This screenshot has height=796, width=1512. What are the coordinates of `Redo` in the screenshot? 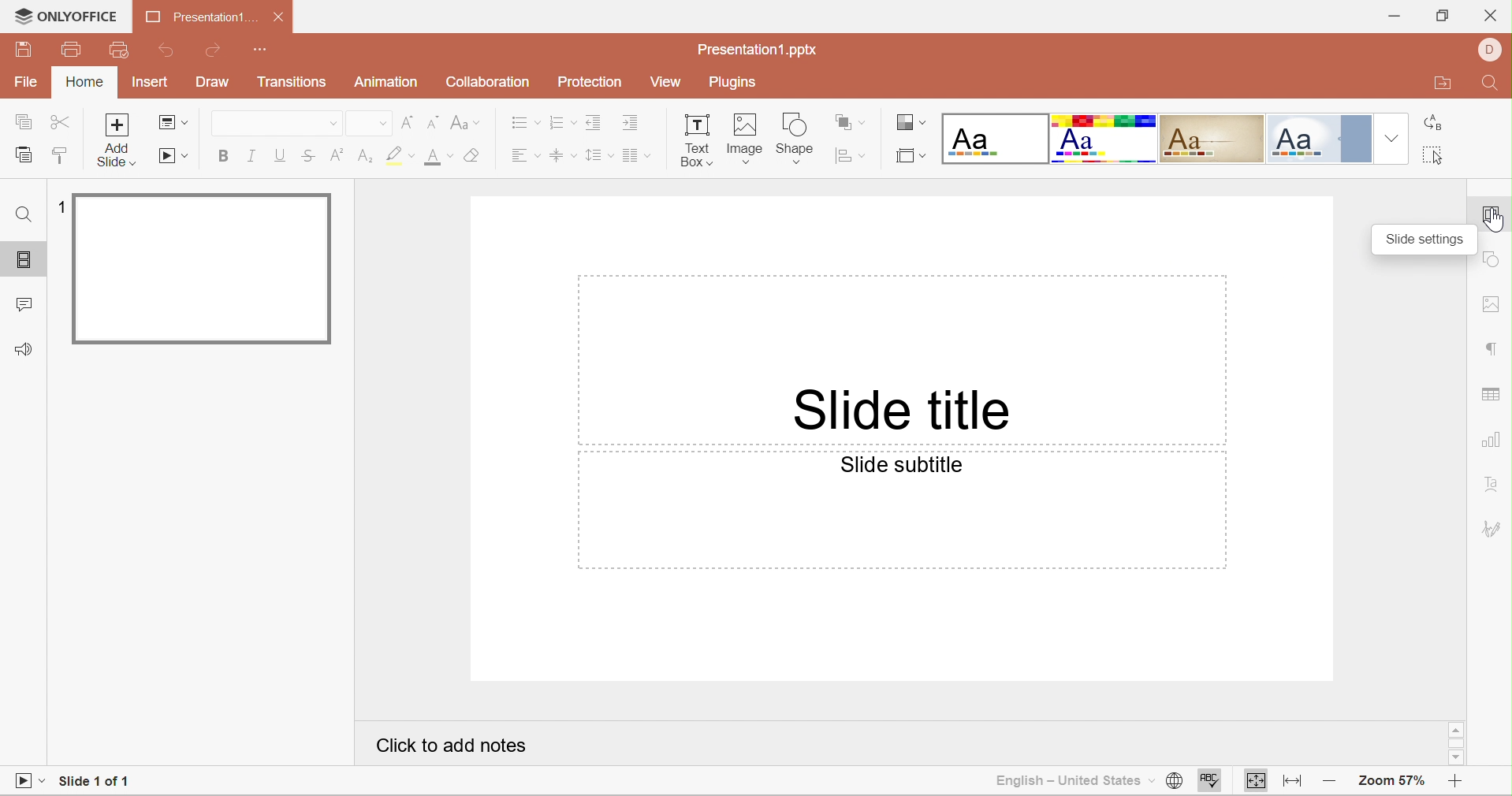 It's located at (216, 51).